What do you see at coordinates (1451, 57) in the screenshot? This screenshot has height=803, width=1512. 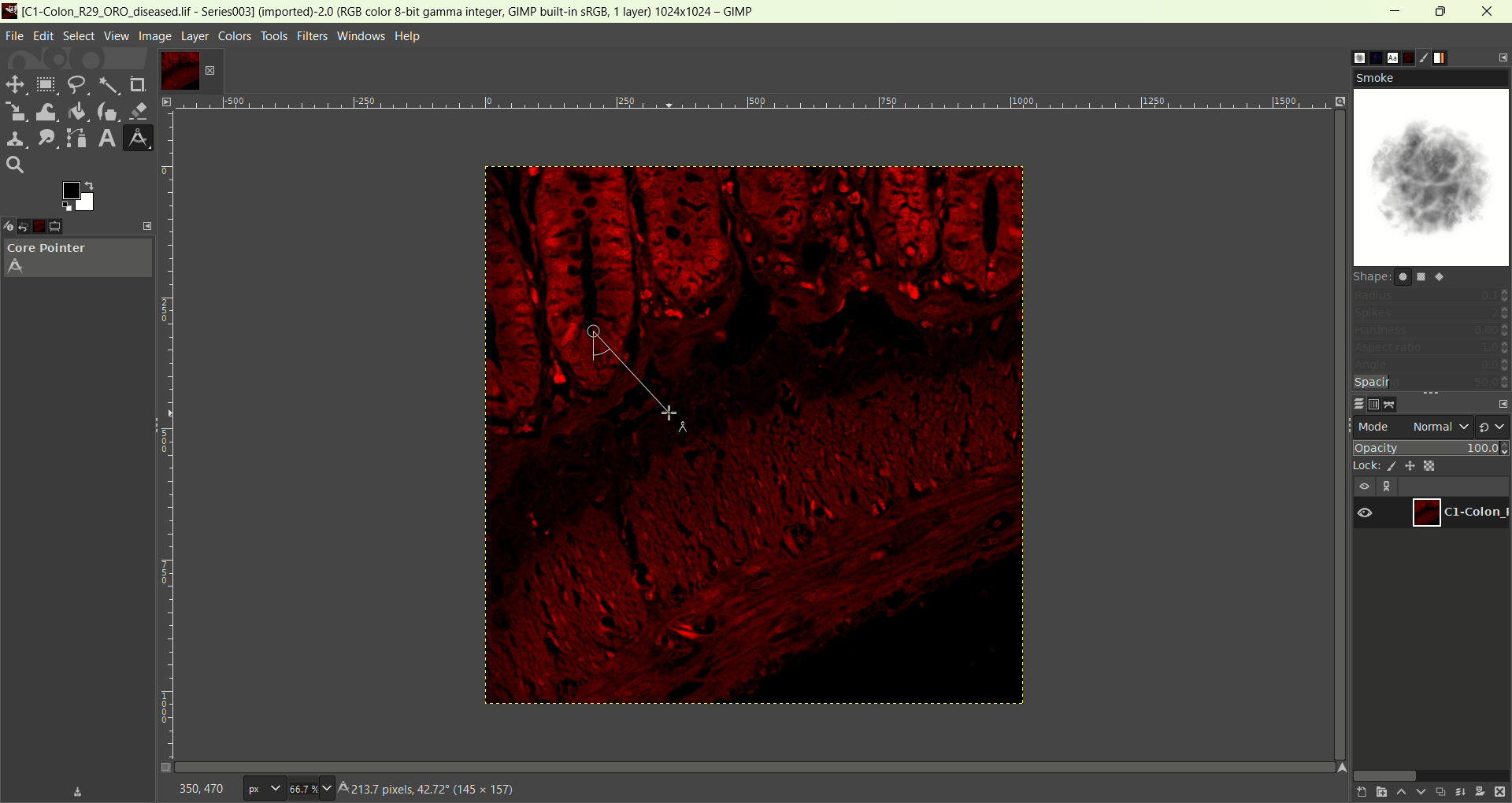 I see `gradient` at bounding box center [1451, 57].